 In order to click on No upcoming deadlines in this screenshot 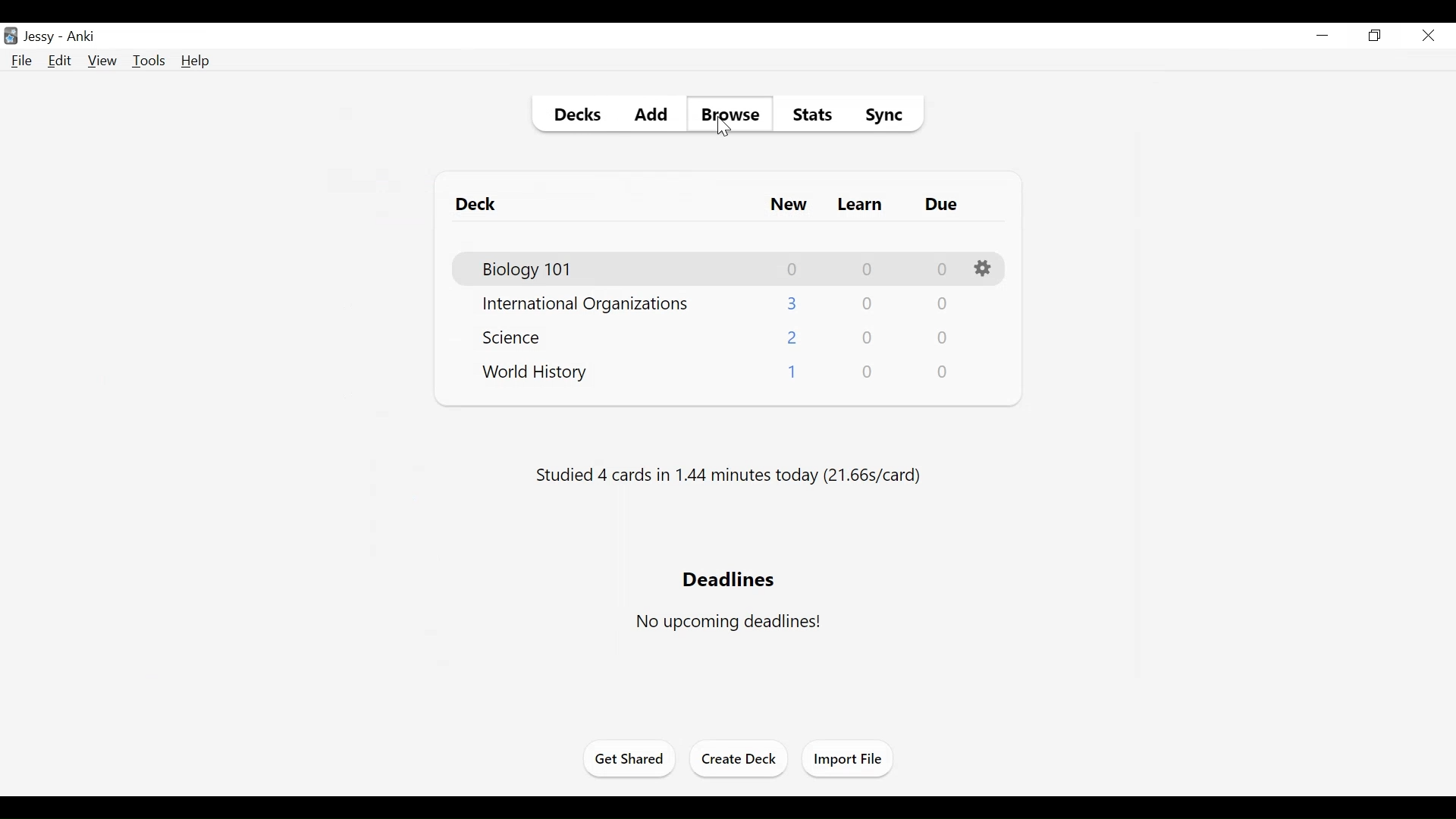, I will do `click(730, 623)`.